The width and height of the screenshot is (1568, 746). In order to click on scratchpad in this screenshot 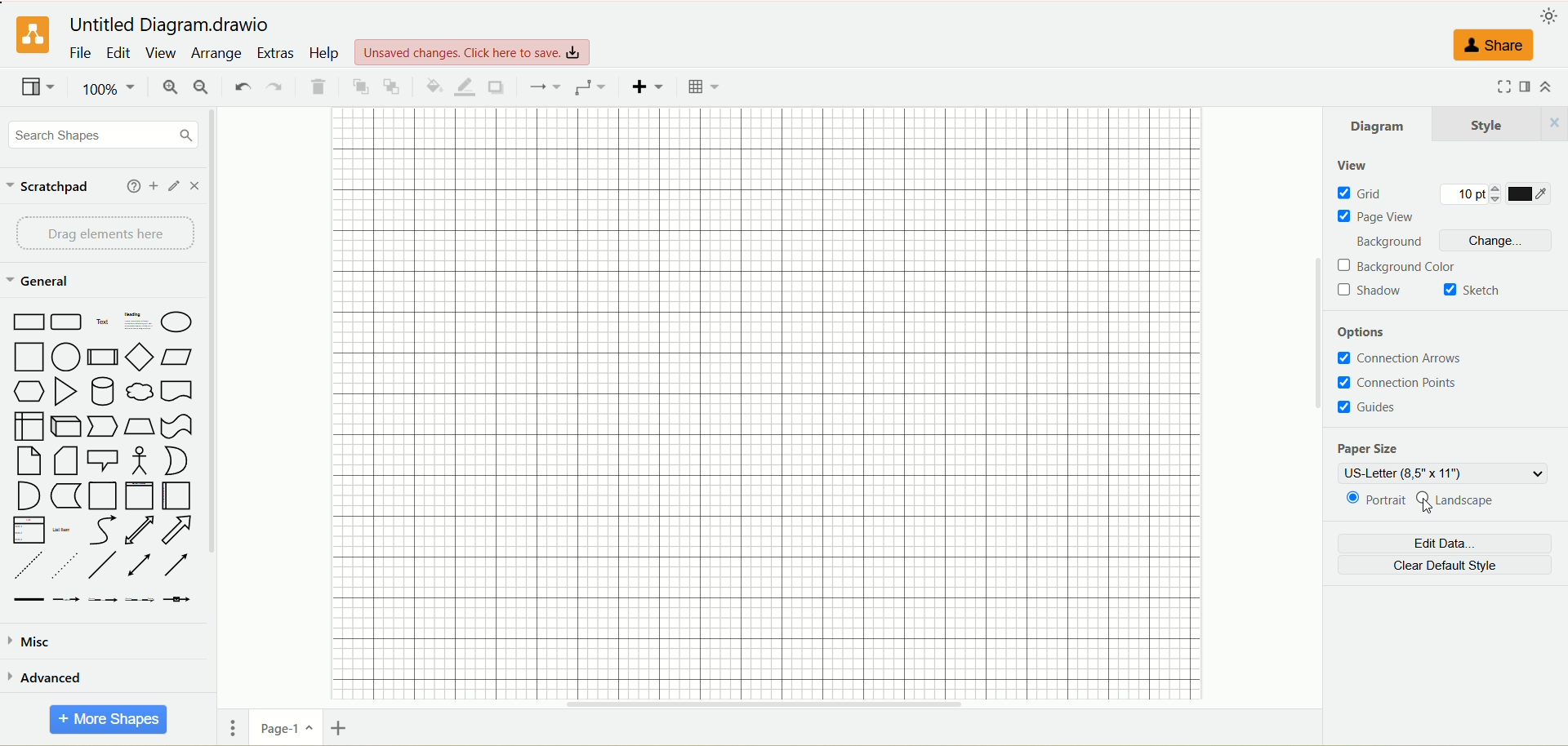, I will do `click(55, 188)`.